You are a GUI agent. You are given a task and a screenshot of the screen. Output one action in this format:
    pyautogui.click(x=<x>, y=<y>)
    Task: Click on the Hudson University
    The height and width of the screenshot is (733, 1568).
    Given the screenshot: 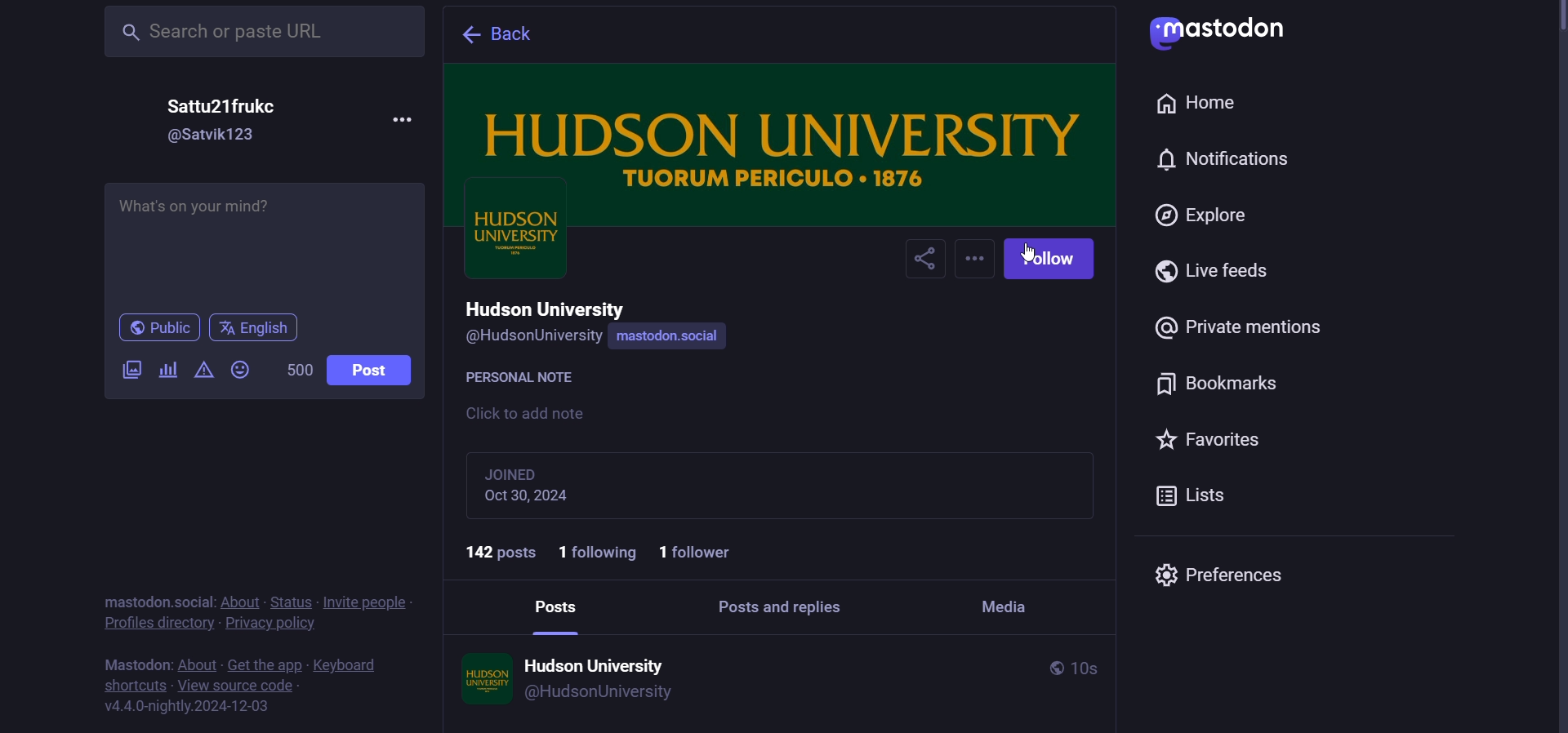 What is the action you would take?
    pyautogui.click(x=598, y=659)
    